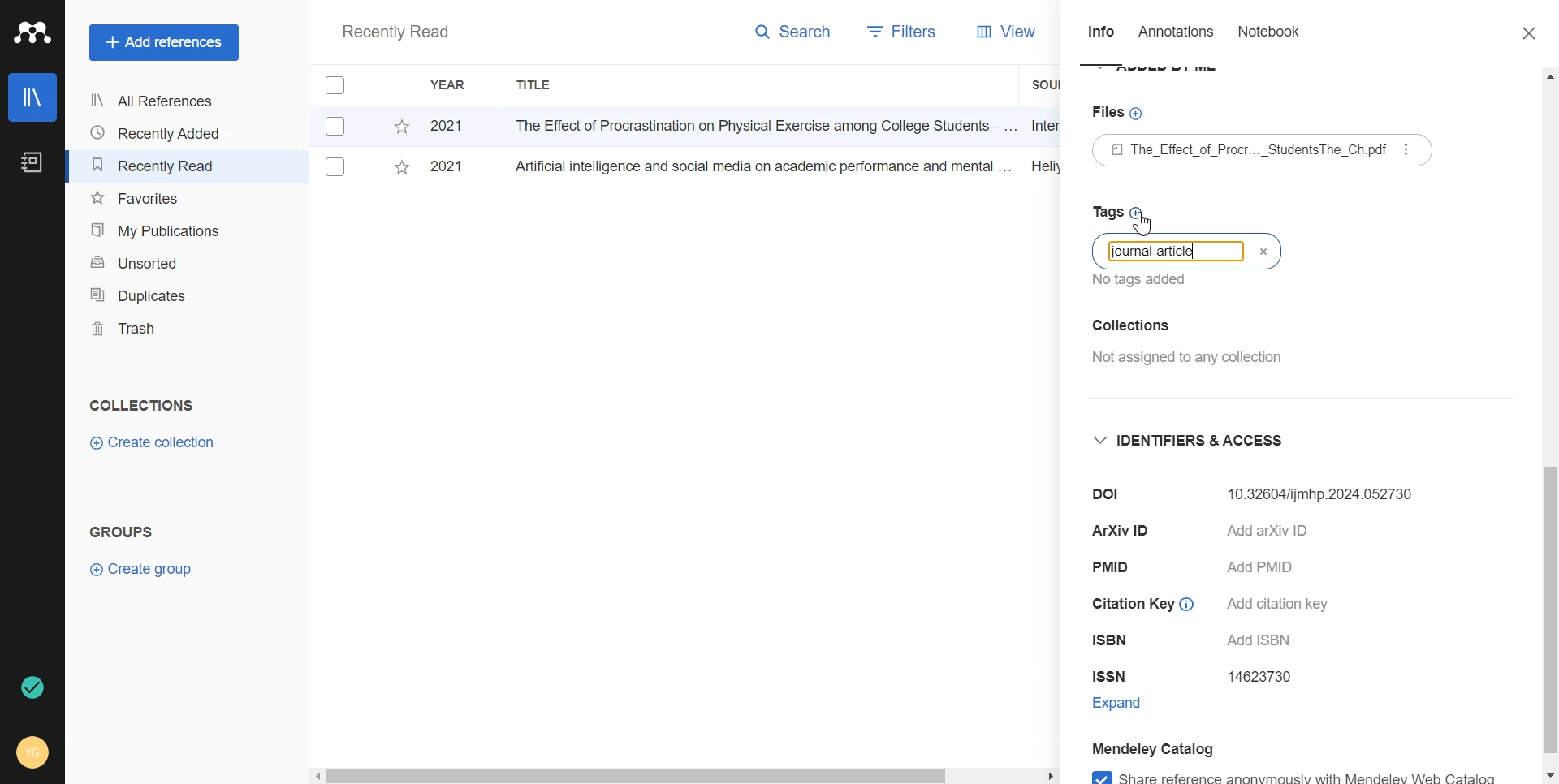 This screenshot has width=1559, height=784. What do you see at coordinates (141, 405) in the screenshot?
I see `Collections` at bounding box center [141, 405].